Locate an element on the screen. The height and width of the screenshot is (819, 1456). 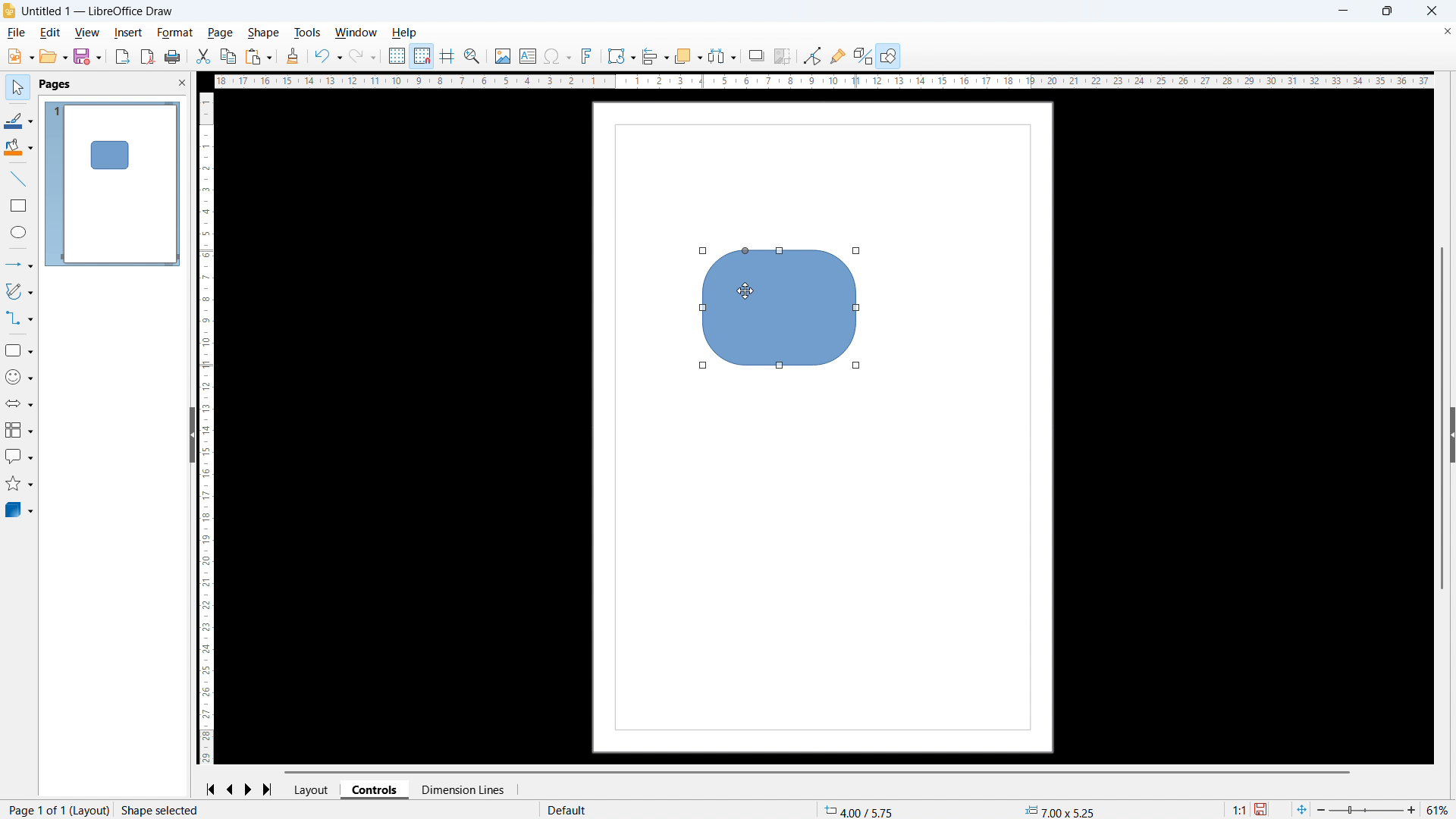
Default is located at coordinates (570, 810).